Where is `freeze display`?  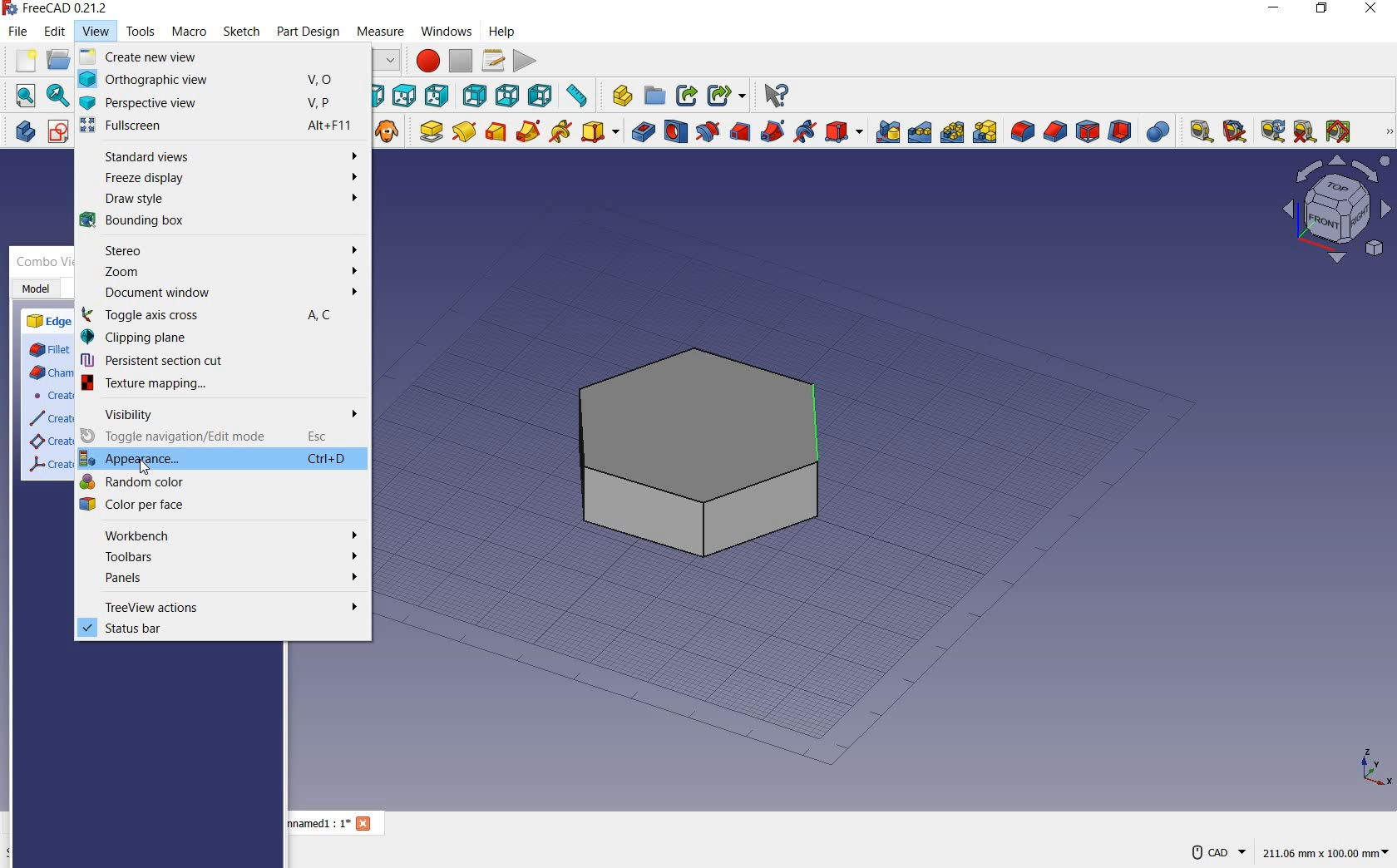
freeze display is located at coordinates (224, 178).